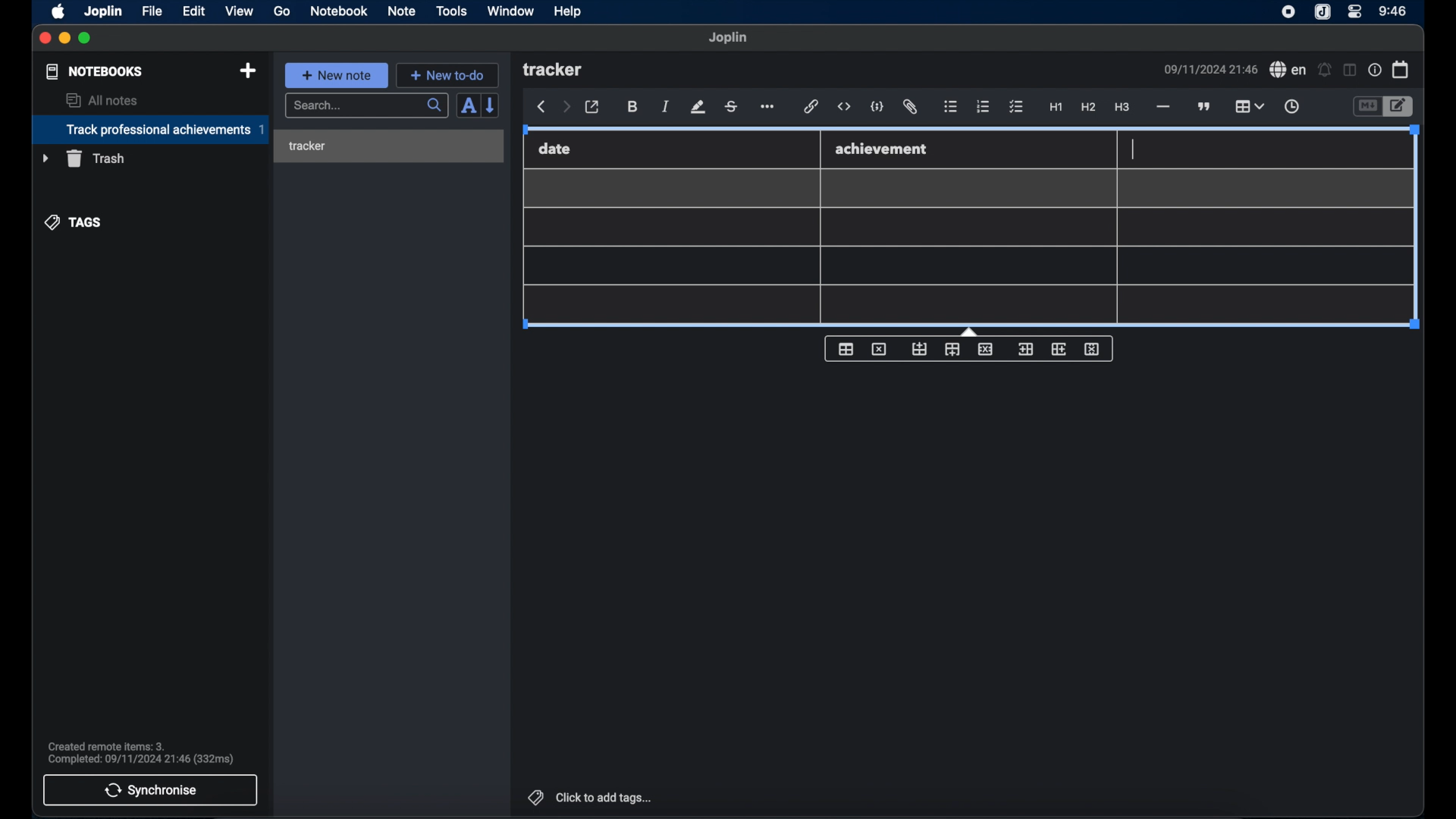 The width and height of the screenshot is (1456, 819). I want to click on tags, so click(74, 221).